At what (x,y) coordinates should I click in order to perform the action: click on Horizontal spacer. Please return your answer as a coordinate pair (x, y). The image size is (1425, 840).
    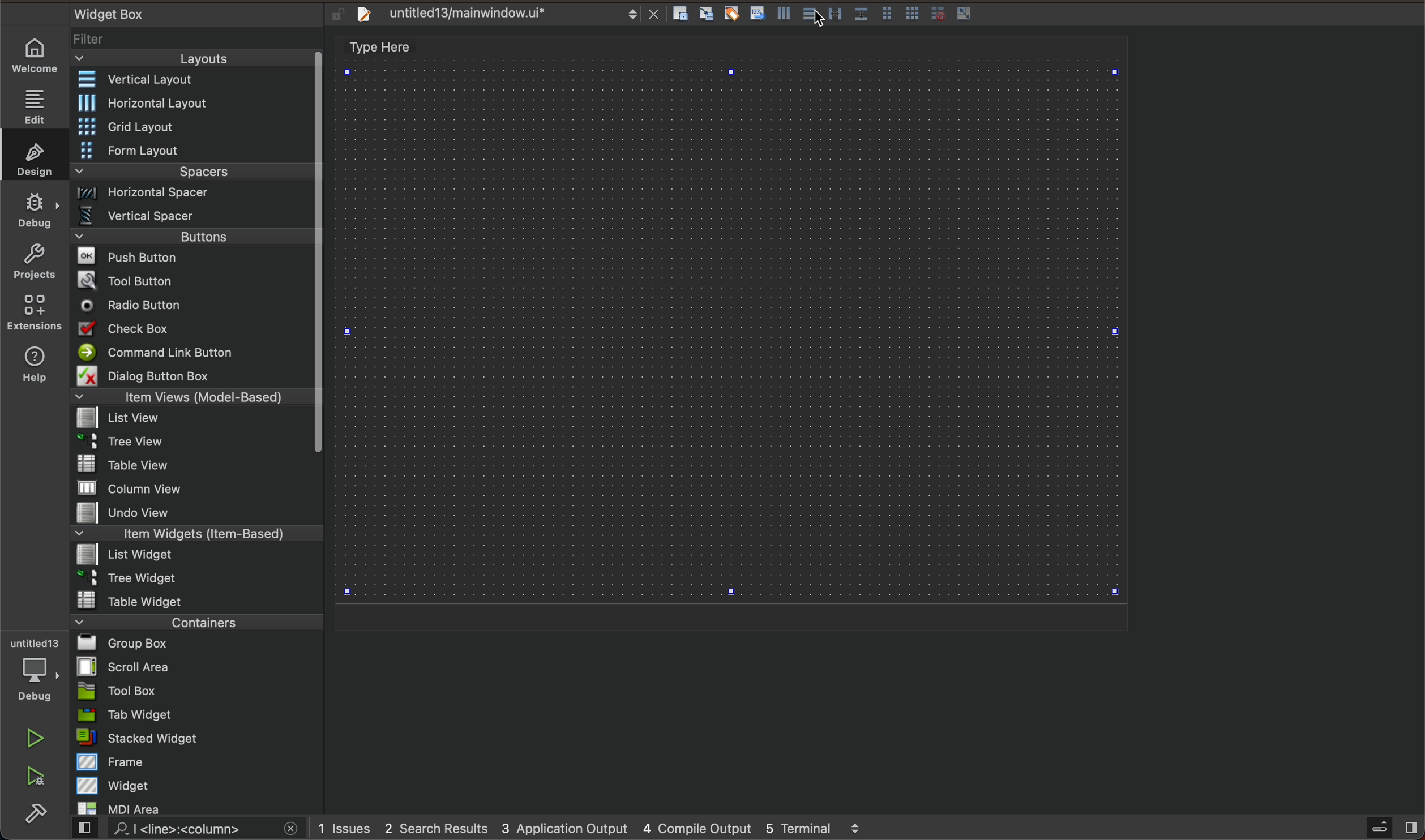
    Looking at the image, I should click on (192, 194).